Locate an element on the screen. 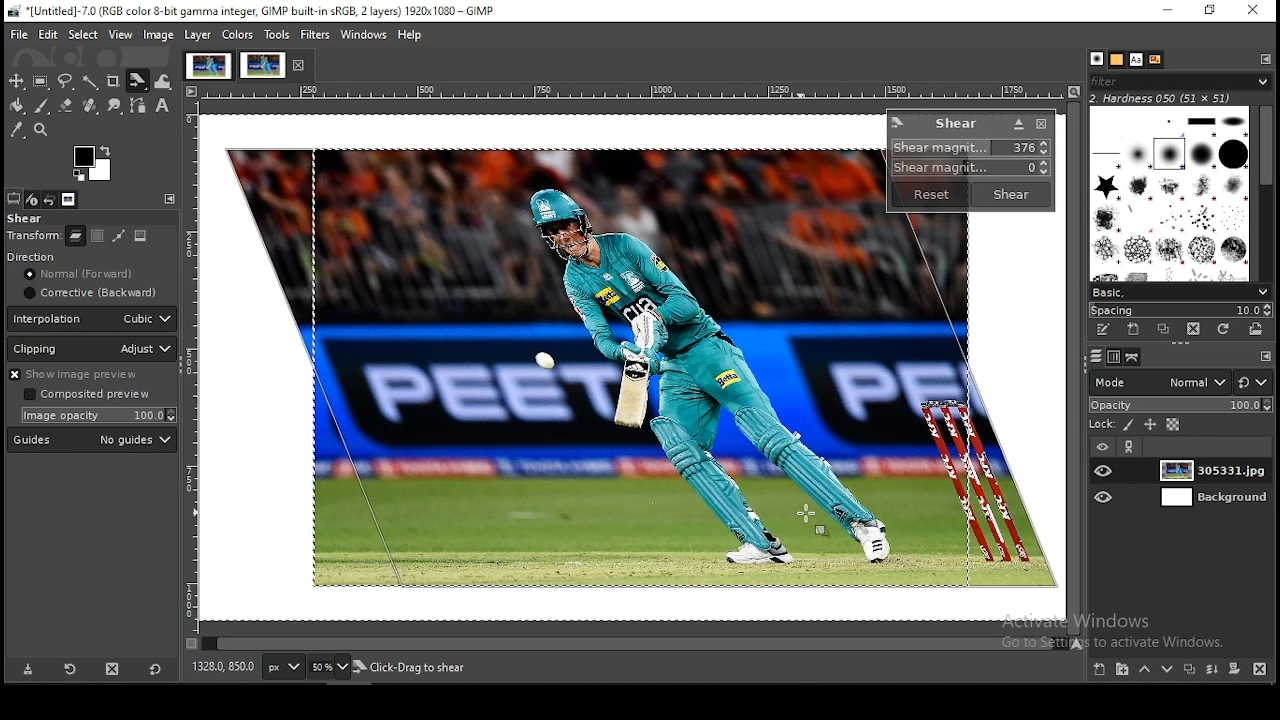 The image size is (1280, 720). basic is located at coordinates (1180, 293).